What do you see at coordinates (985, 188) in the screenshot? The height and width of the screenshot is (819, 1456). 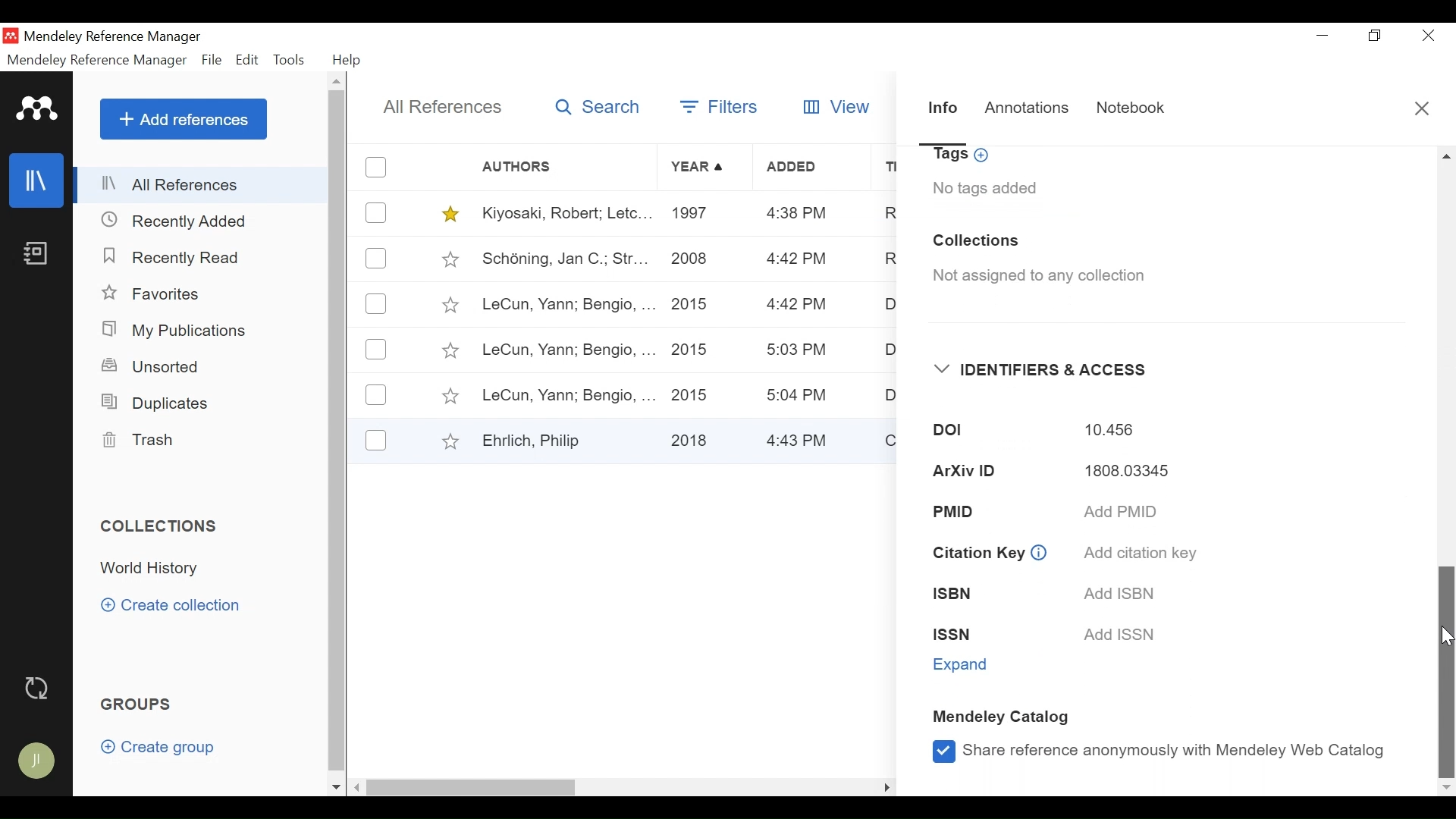 I see `No tags added` at bounding box center [985, 188].